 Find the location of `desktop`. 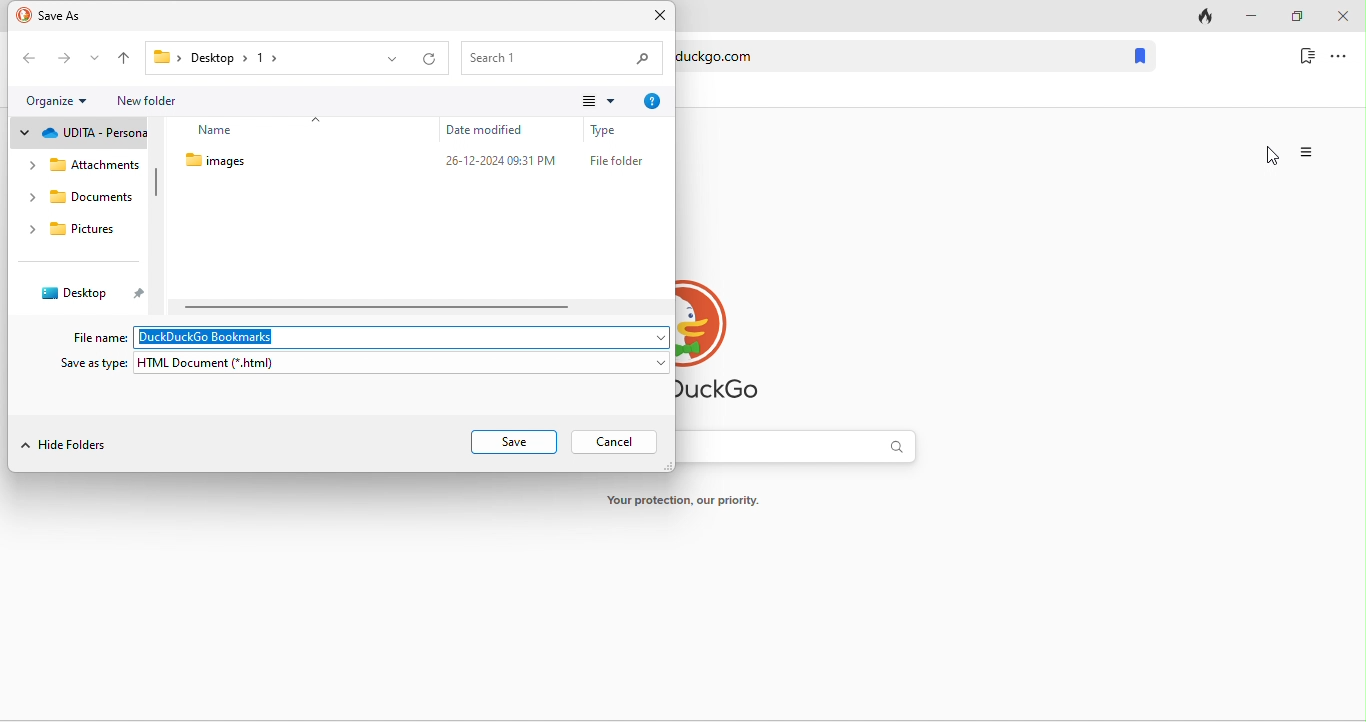

desktop is located at coordinates (86, 291).